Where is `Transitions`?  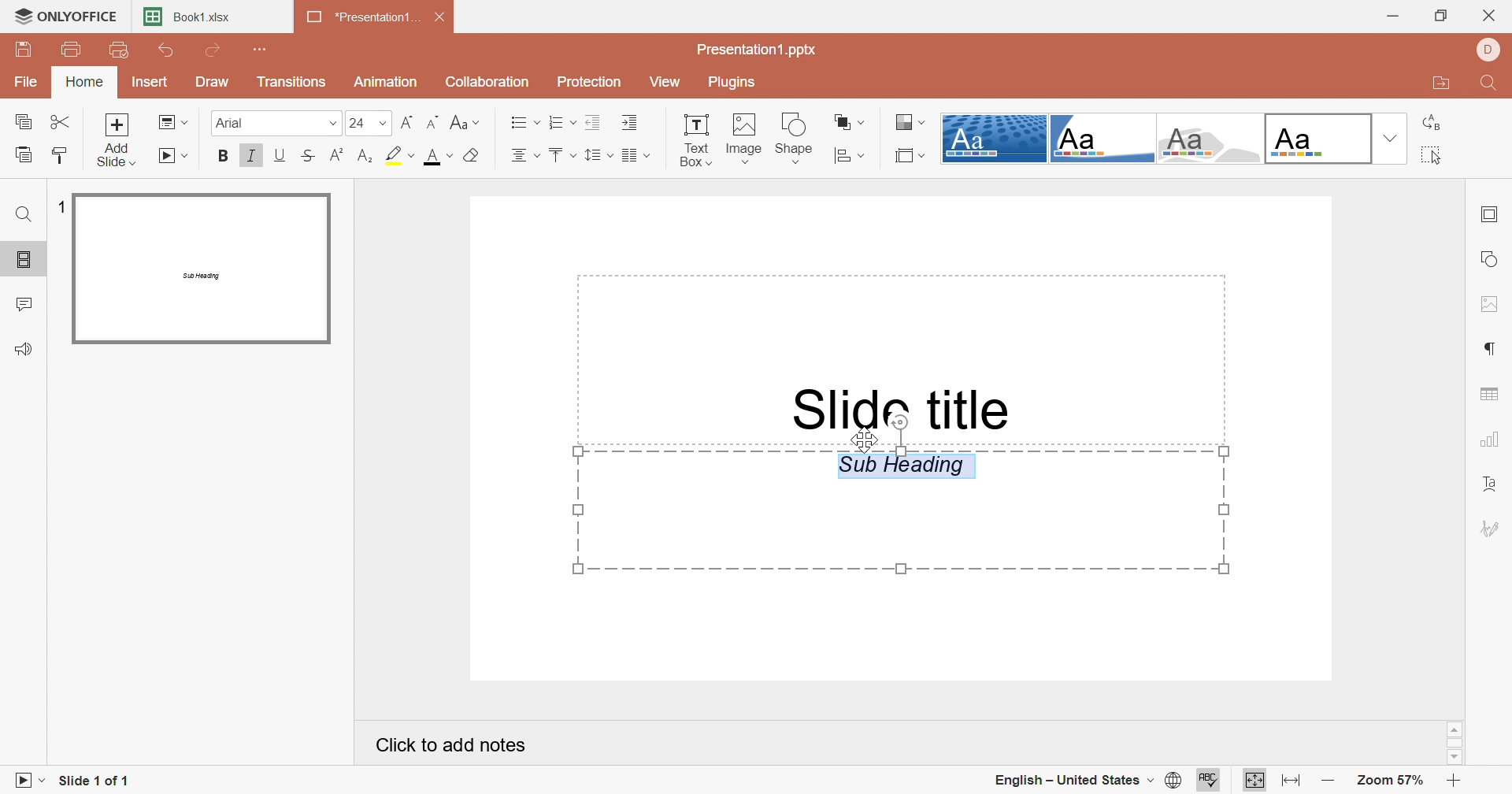 Transitions is located at coordinates (291, 82).